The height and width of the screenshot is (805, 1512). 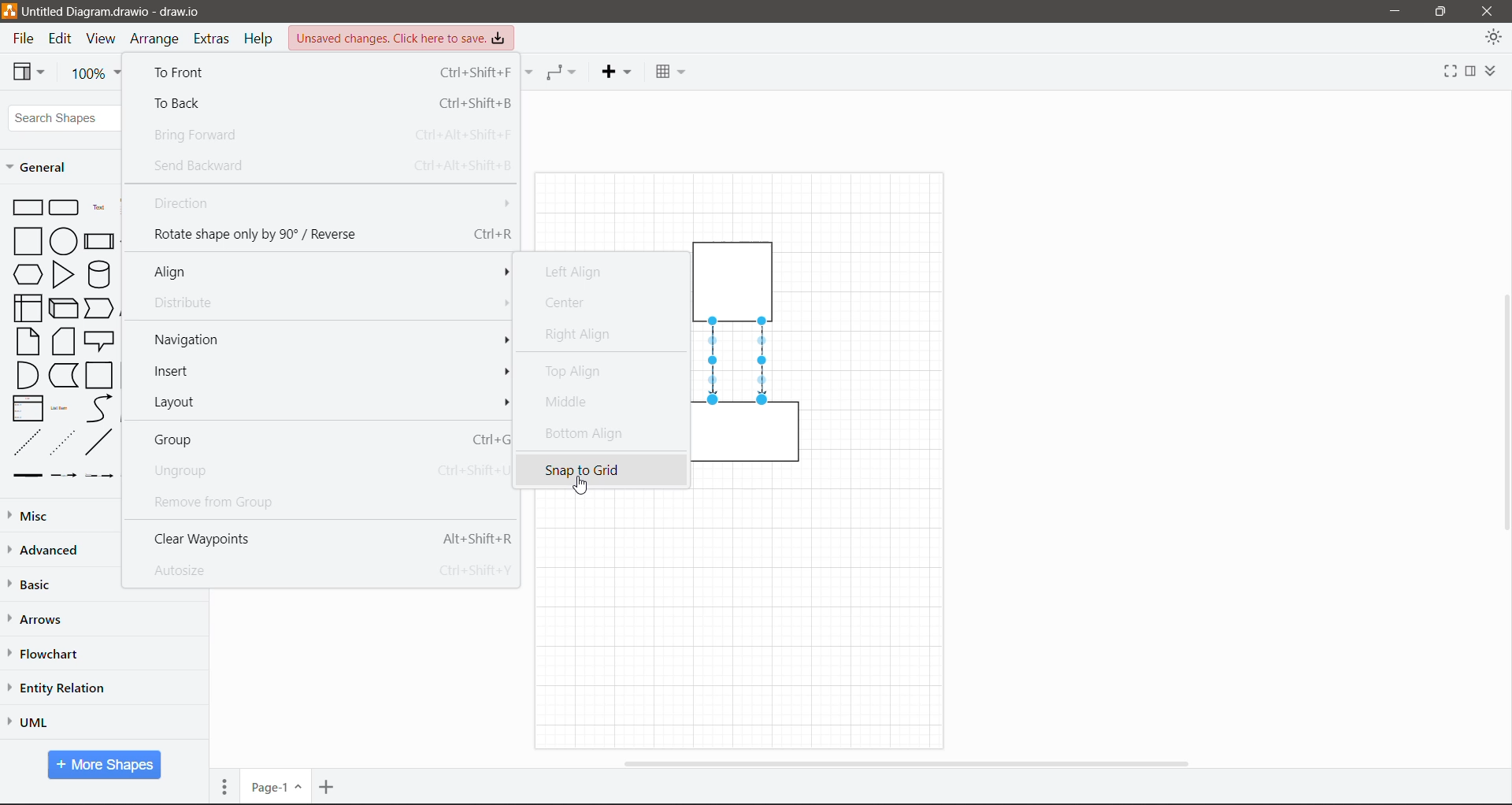 What do you see at coordinates (275, 787) in the screenshot?
I see `Page Number` at bounding box center [275, 787].